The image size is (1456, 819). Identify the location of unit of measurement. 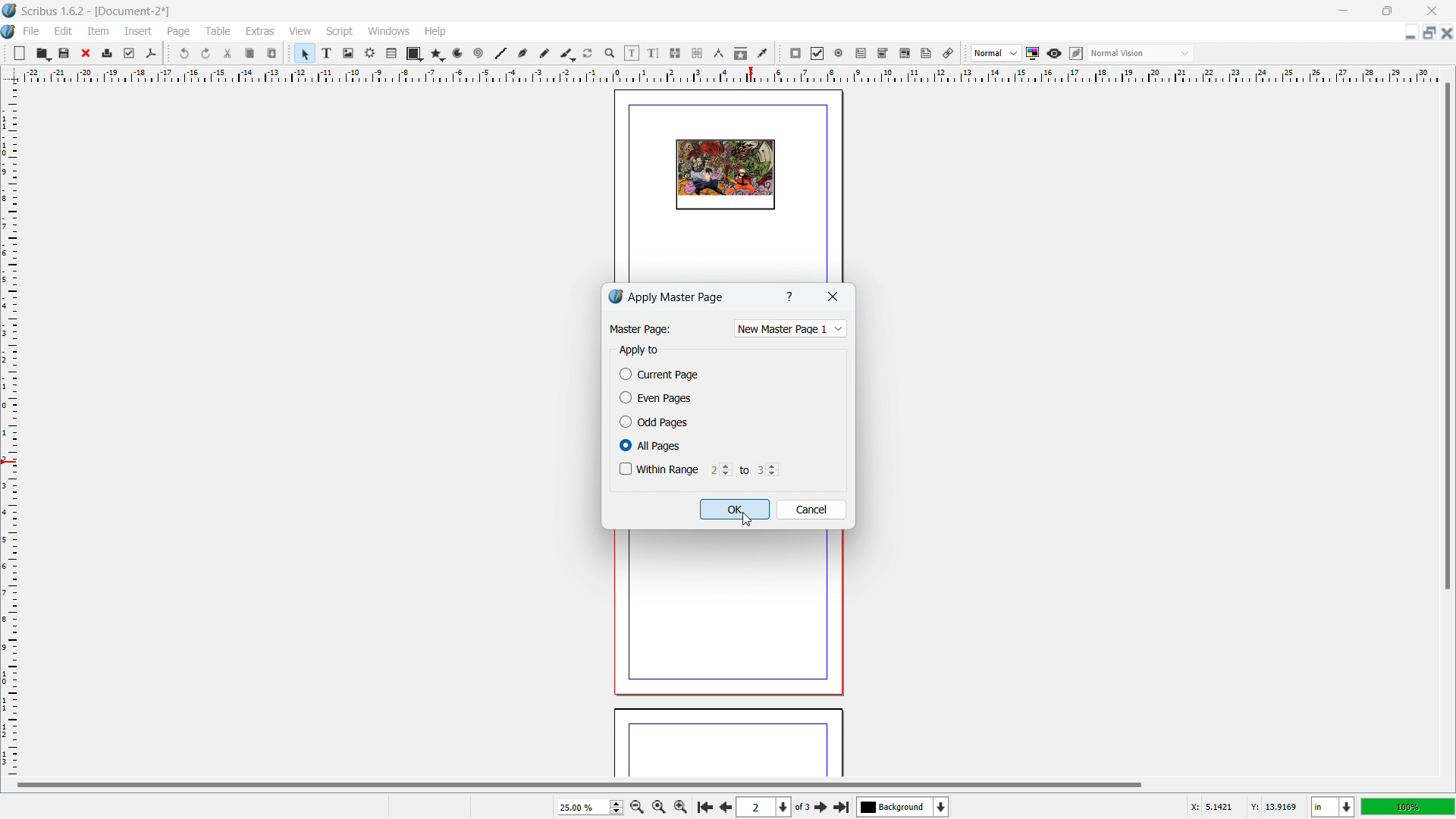
(1333, 808).